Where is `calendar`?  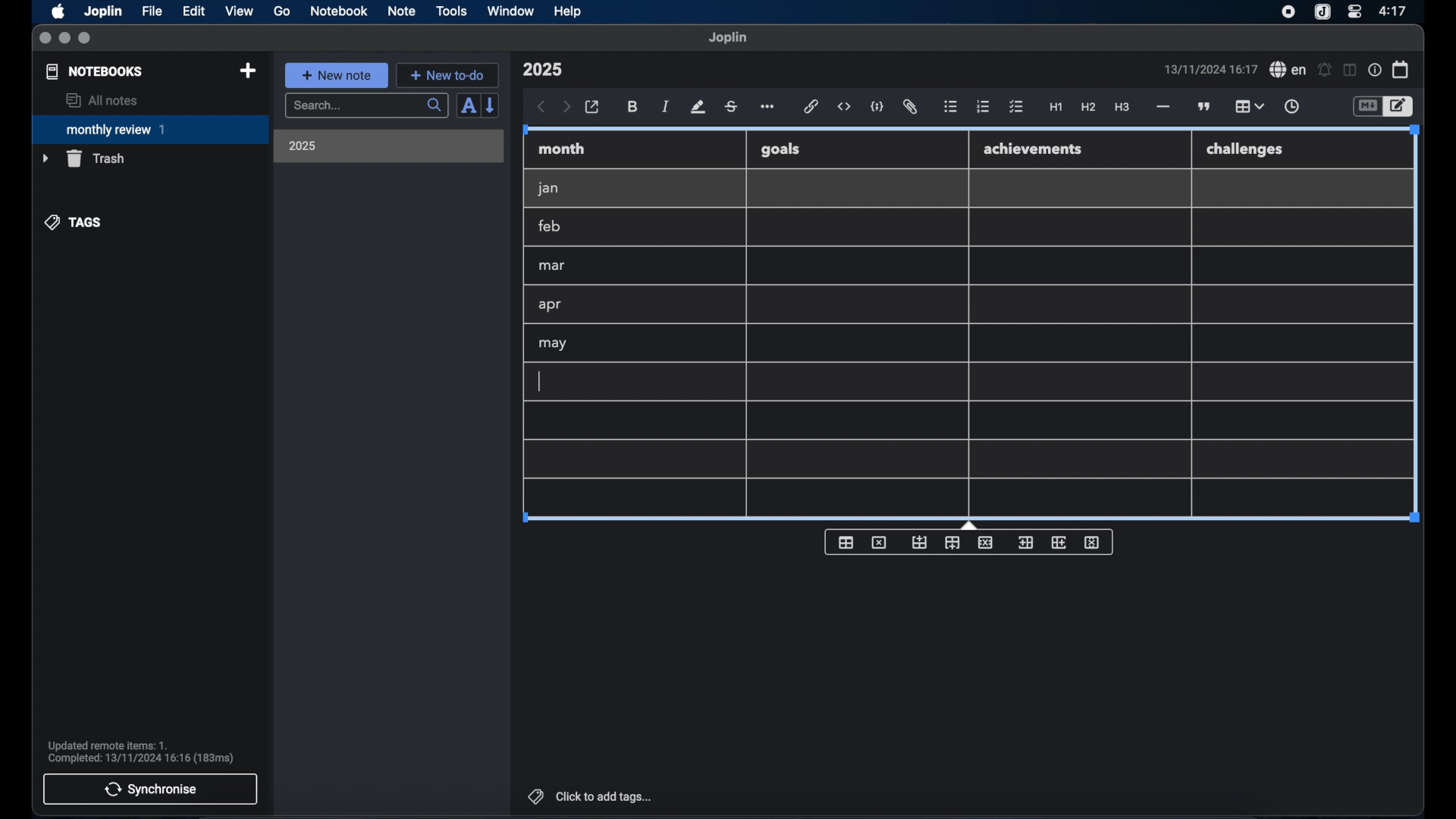 calendar is located at coordinates (1401, 69).